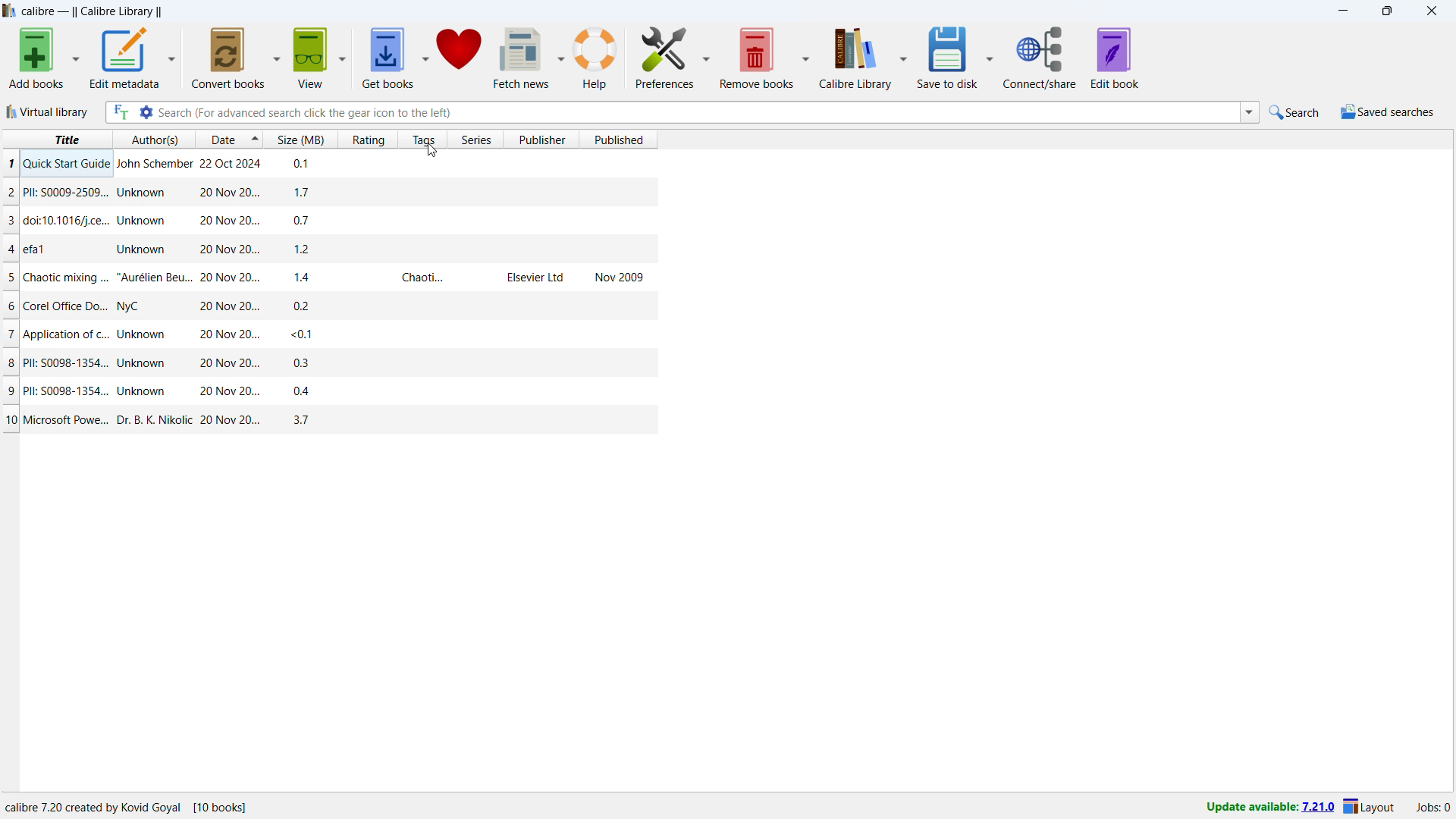 The width and height of the screenshot is (1456, 819). I want to click on edit book, so click(1115, 59).